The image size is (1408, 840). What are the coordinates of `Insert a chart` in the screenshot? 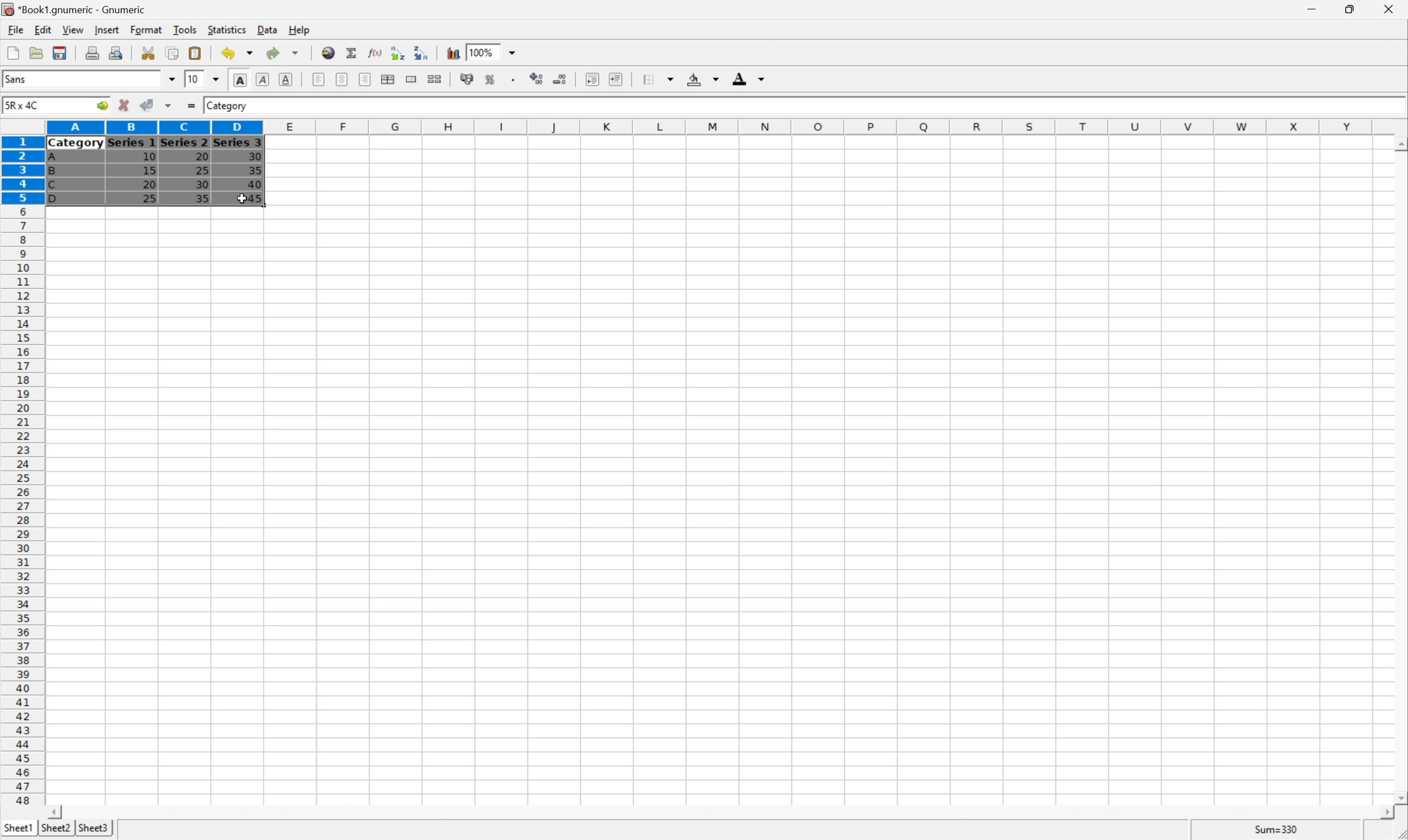 It's located at (452, 53).